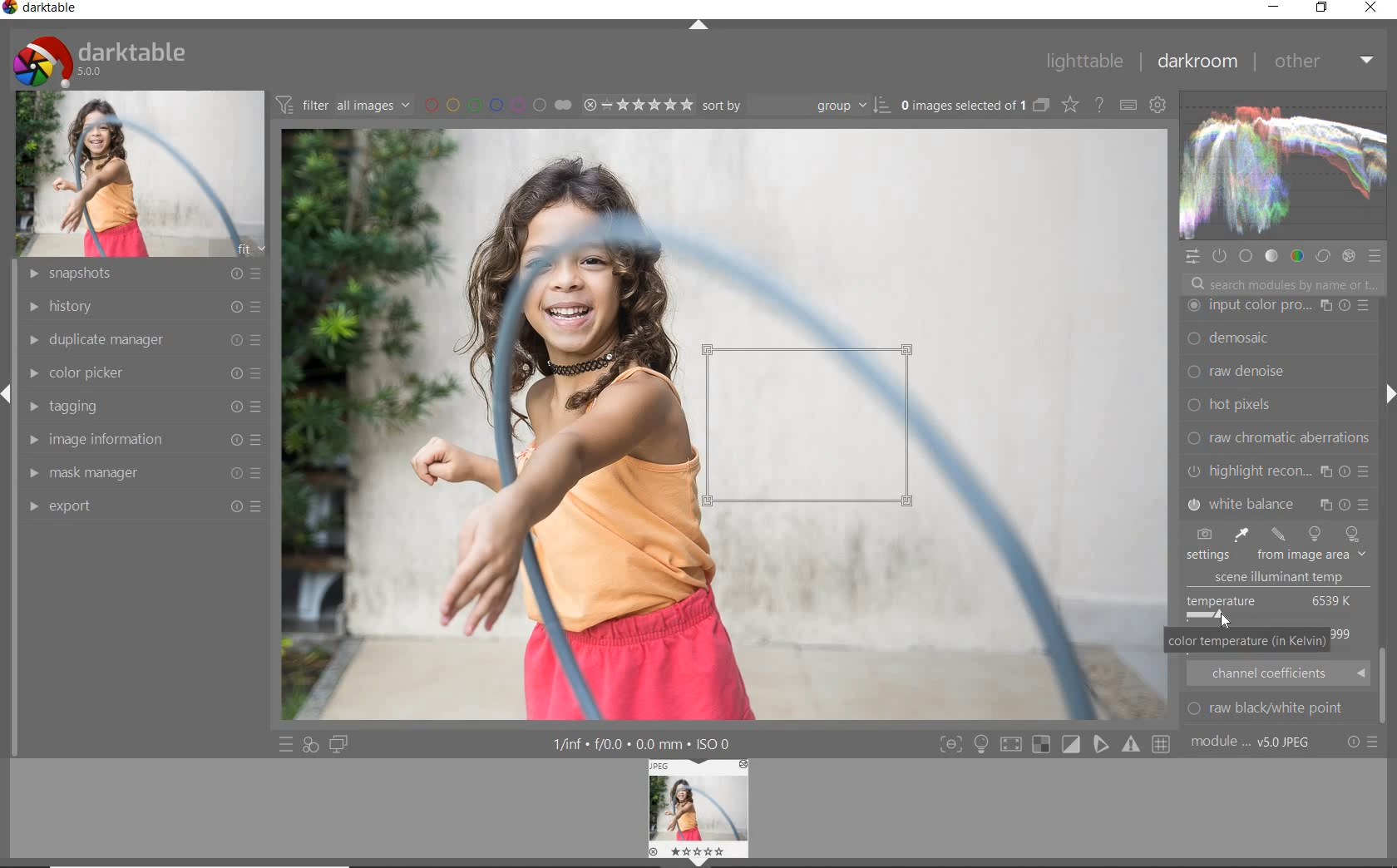 The width and height of the screenshot is (1397, 868). Describe the element at coordinates (142, 439) in the screenshot. I see `image information` at that location.